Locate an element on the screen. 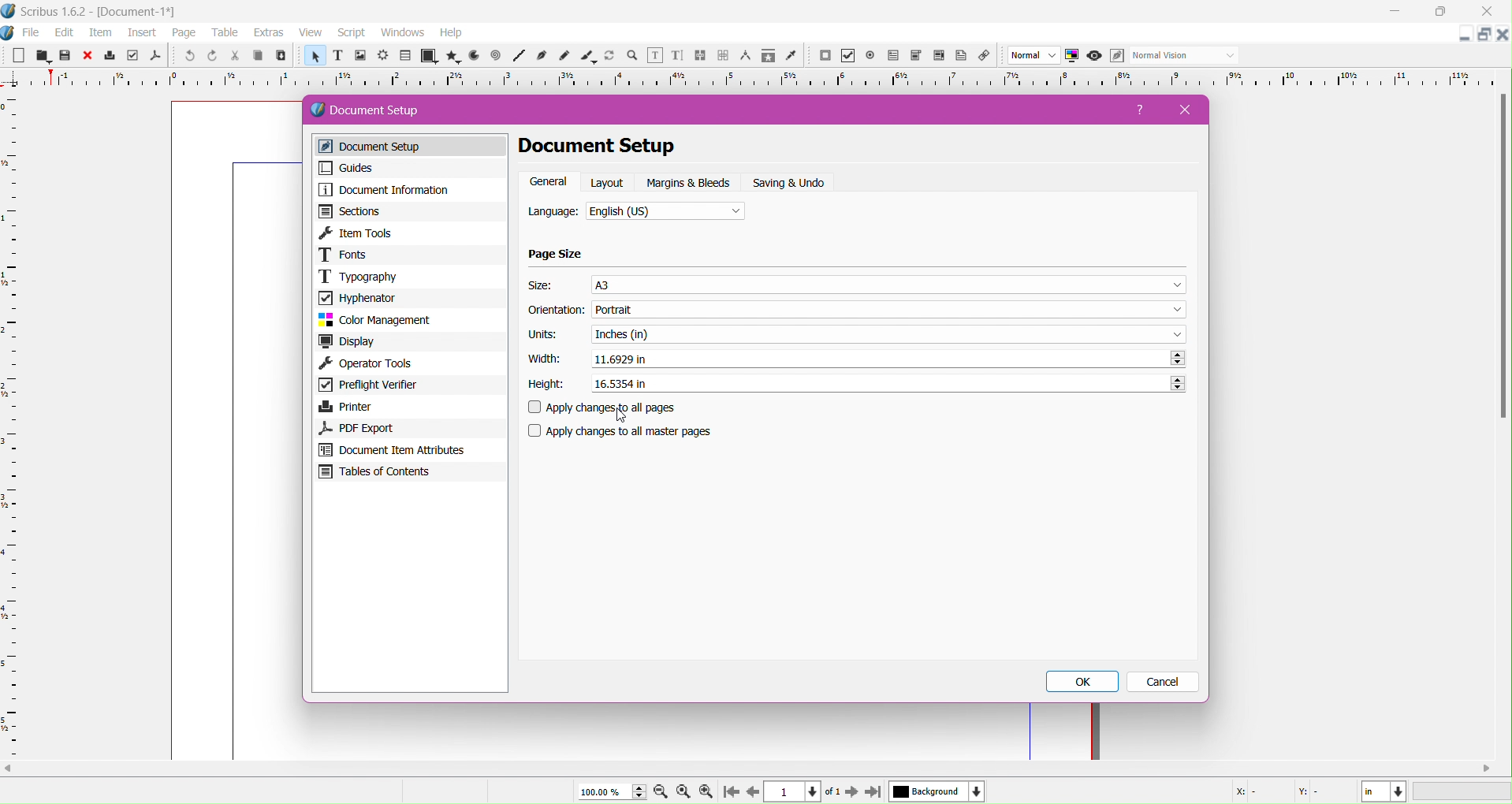 The width and height of the screenshot is (1512, 804). eye dropper is located at coordinates (795, 57).